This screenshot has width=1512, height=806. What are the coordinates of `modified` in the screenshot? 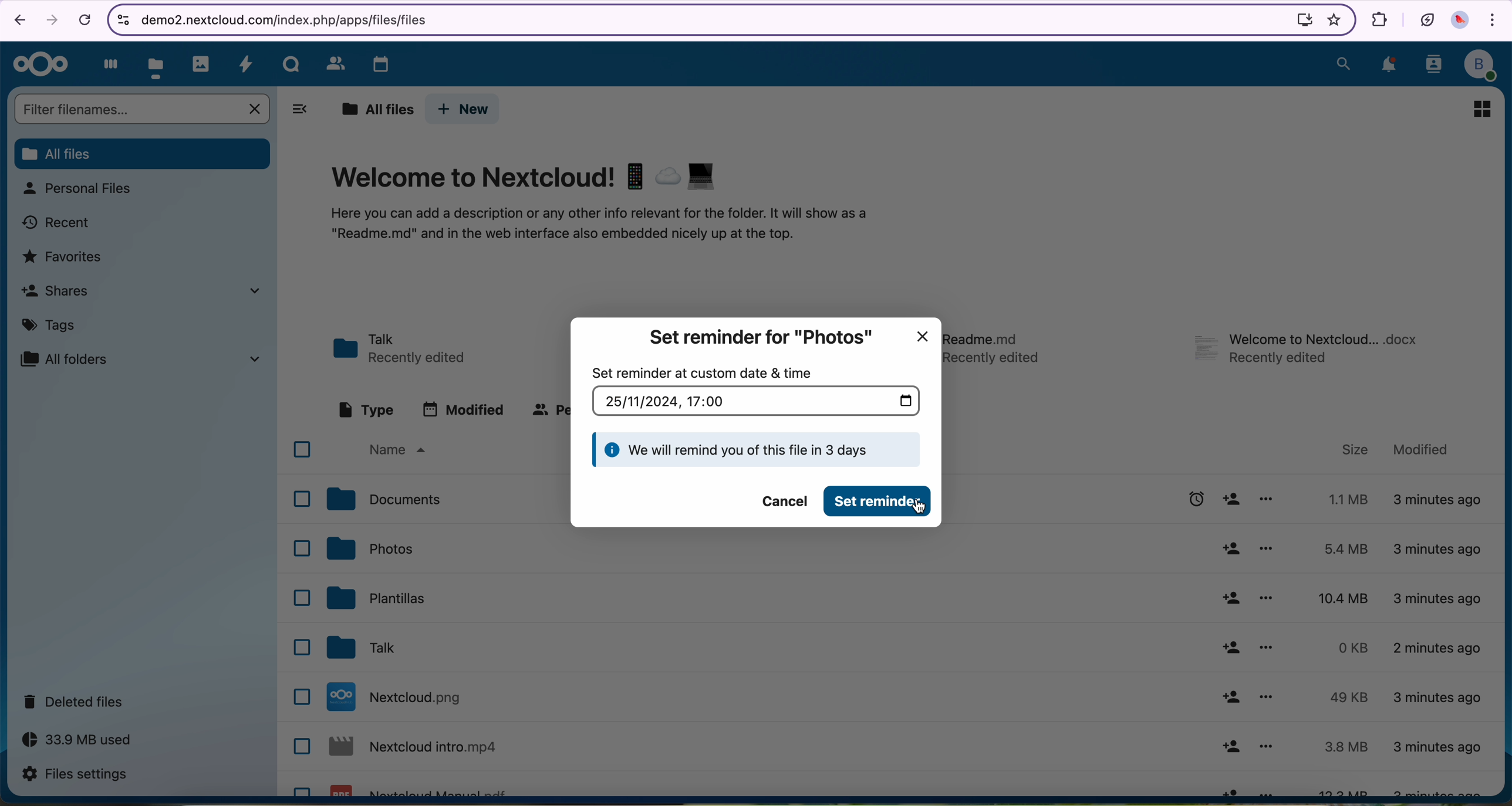 It's located at (464, 409).